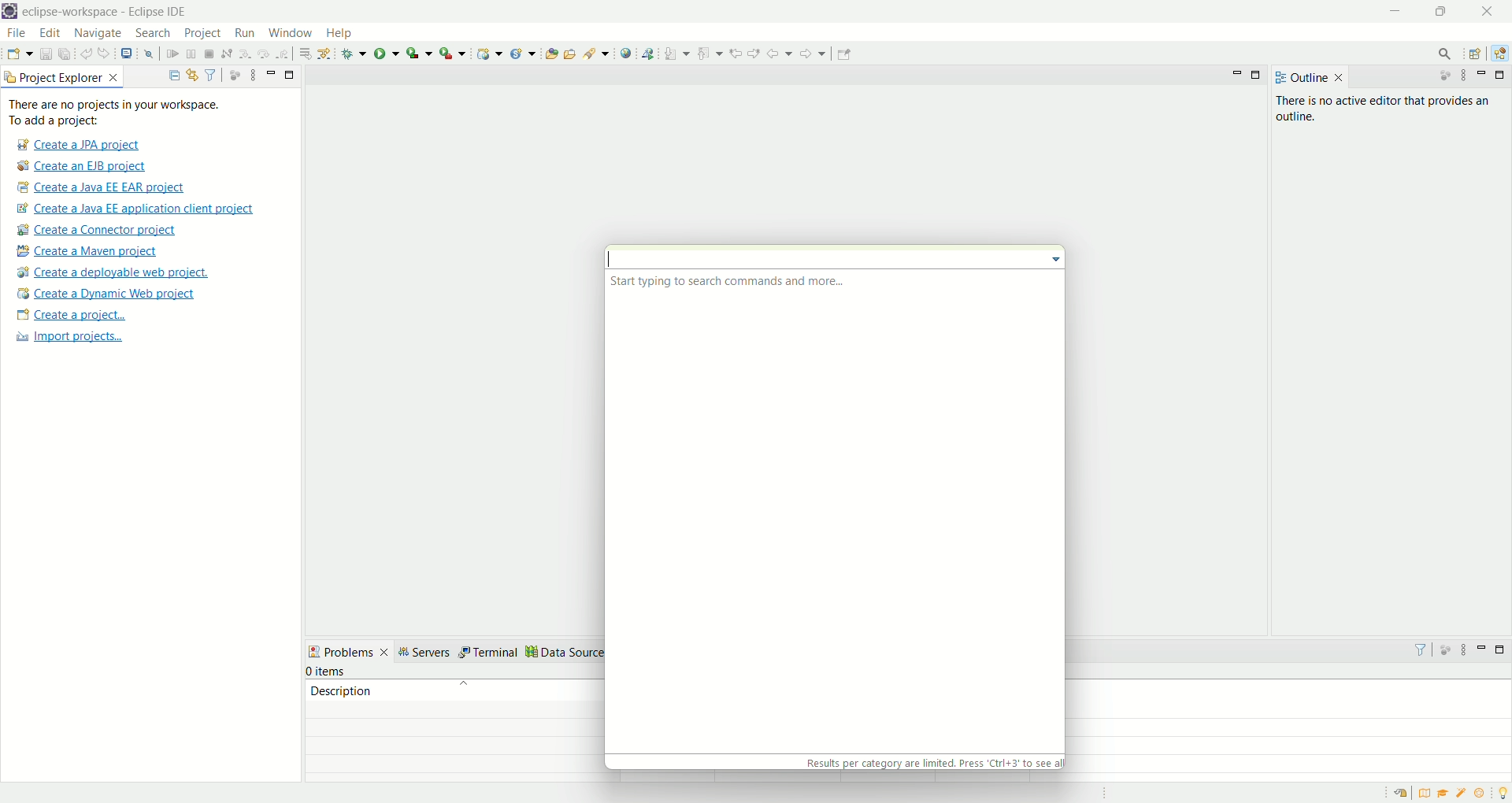  What do you see at coordinates (733, 54) in the screenshot?
I see `previous edit location` at bounding box center [733, 54].